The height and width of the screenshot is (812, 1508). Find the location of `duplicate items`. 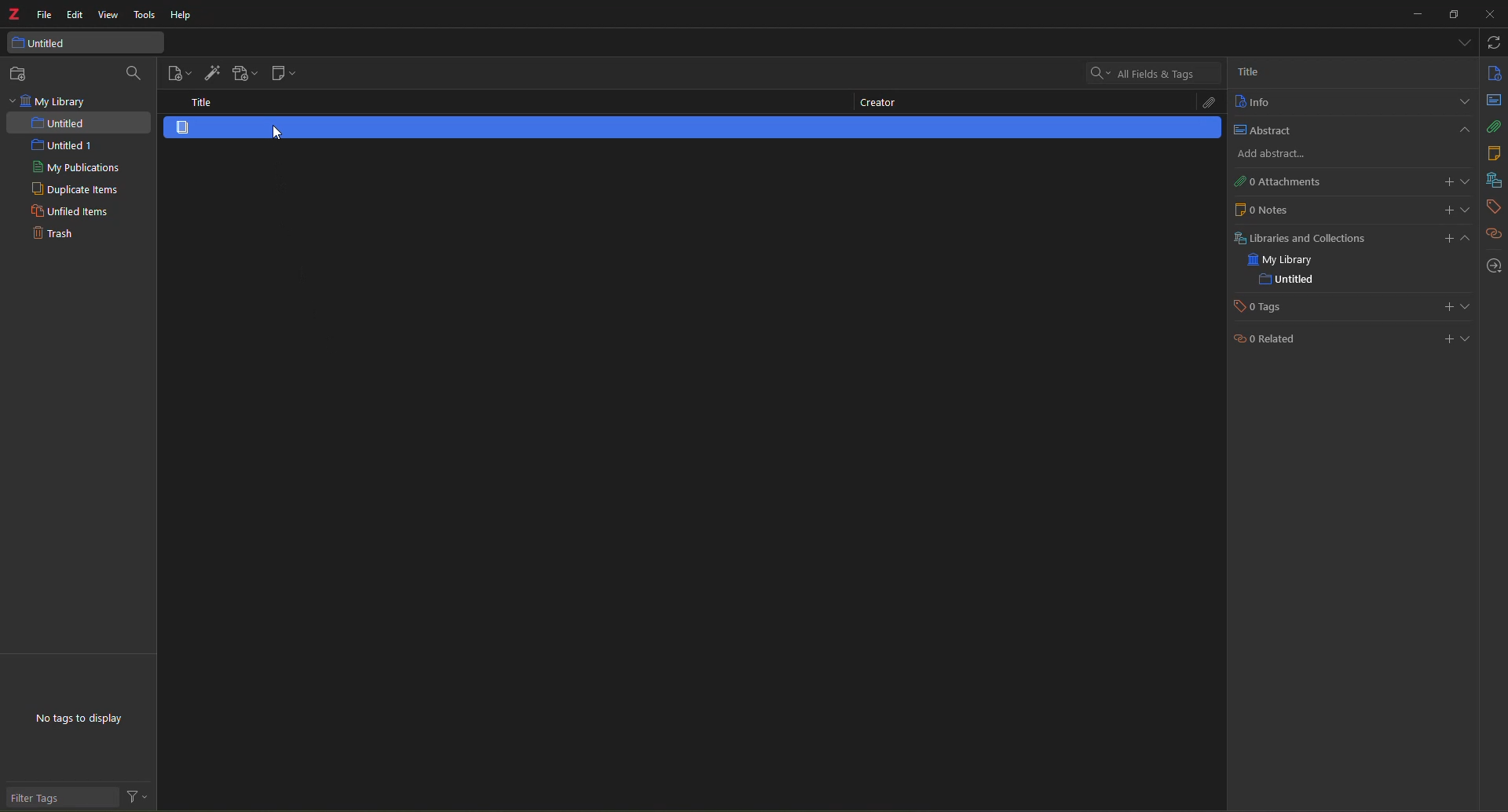

duplicate items is located at coordinates (74, 190).